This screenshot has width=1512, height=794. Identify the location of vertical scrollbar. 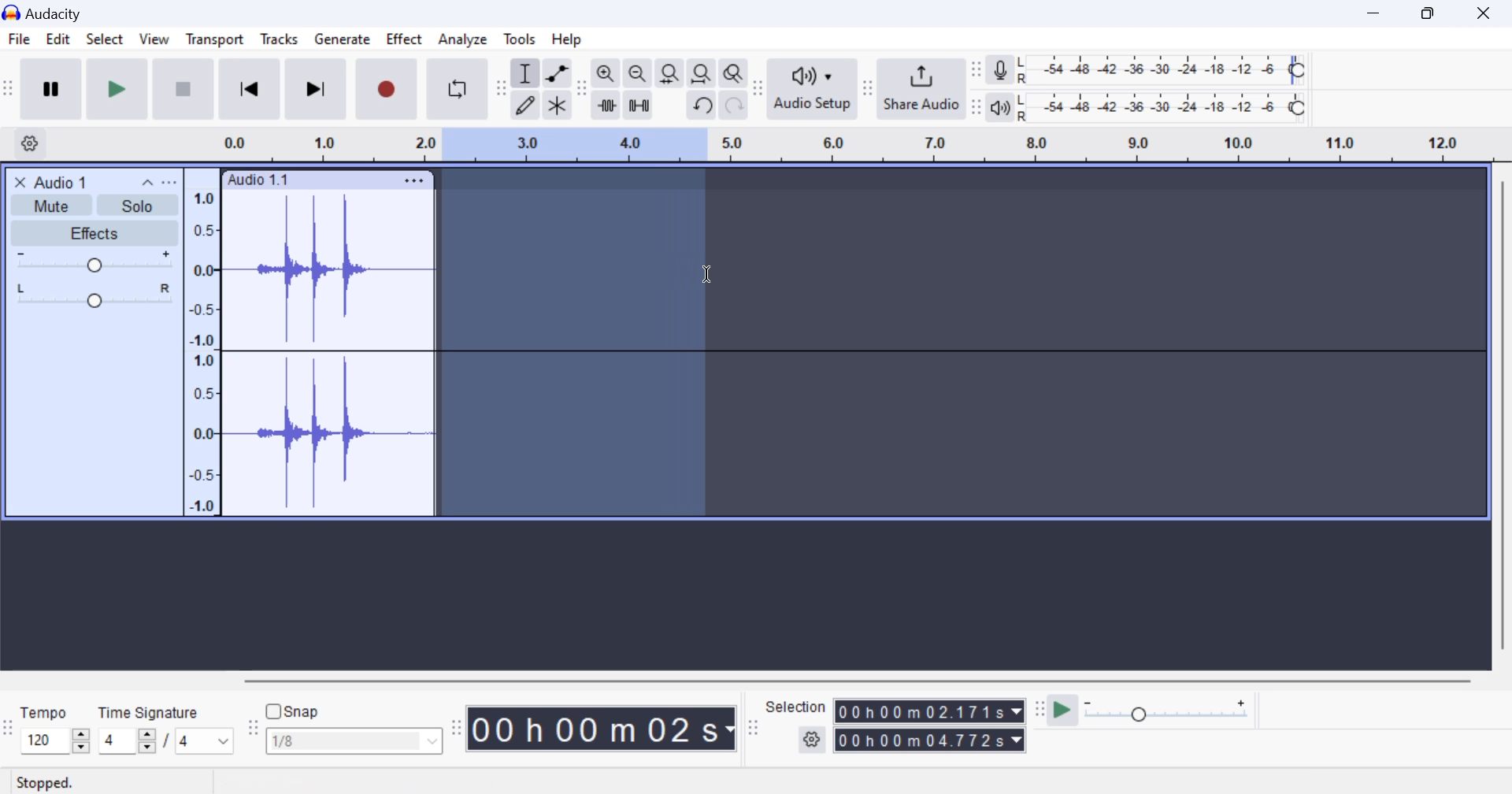
(1501, 421).